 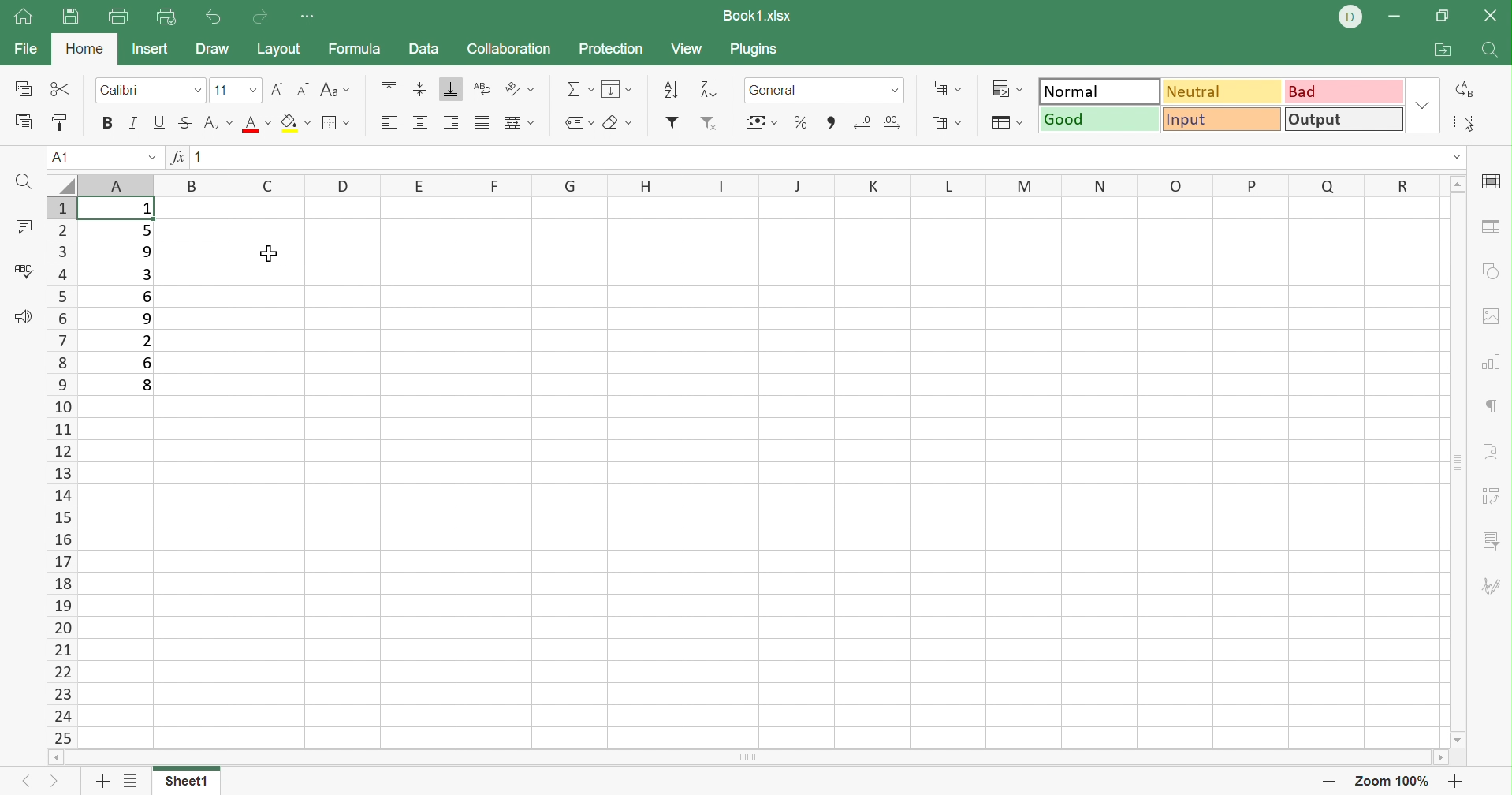 I want to click on Row numbers, so click(x=60, y=472).